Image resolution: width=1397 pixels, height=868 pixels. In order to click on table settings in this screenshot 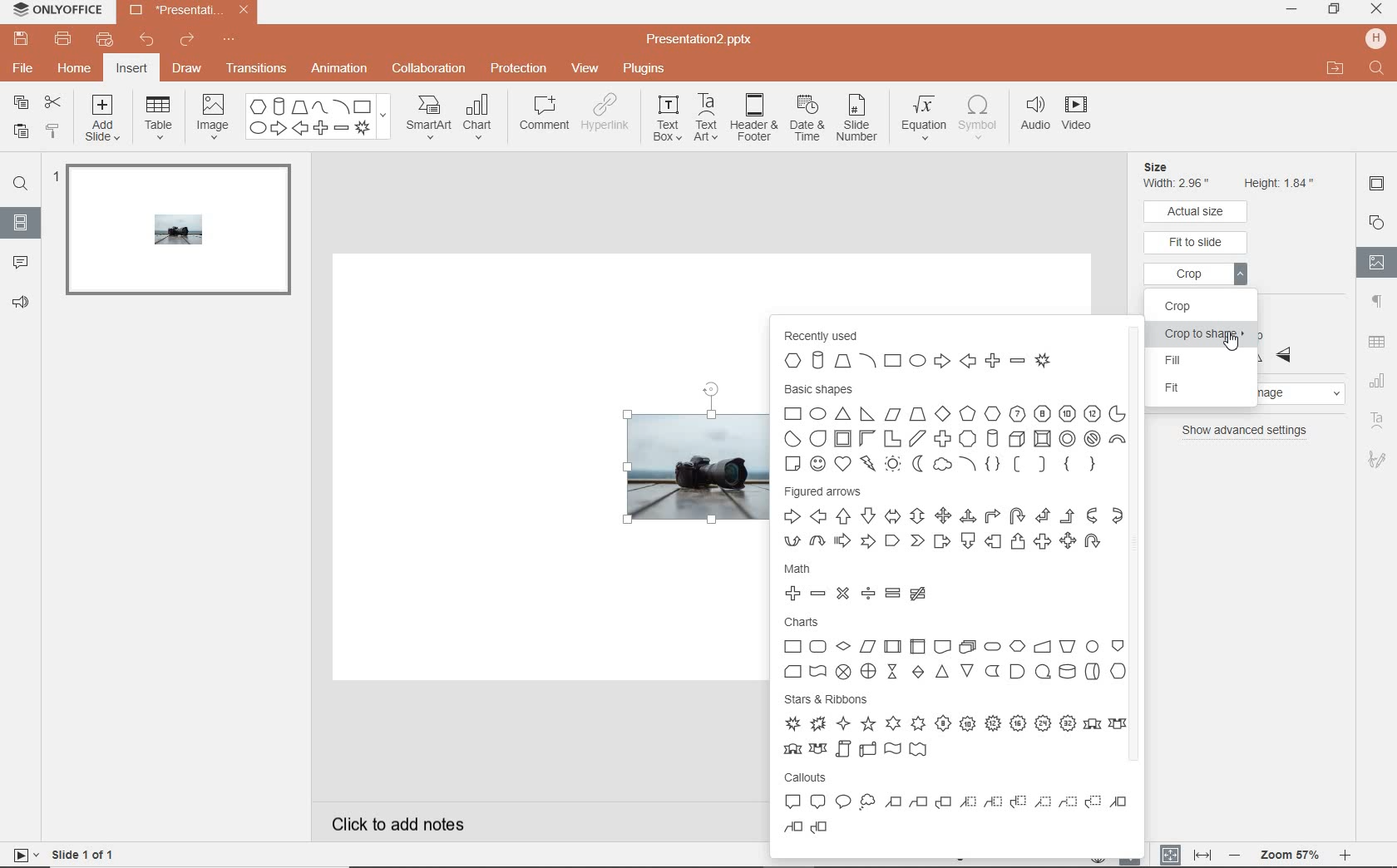, I will do `click(1376, 341)`.